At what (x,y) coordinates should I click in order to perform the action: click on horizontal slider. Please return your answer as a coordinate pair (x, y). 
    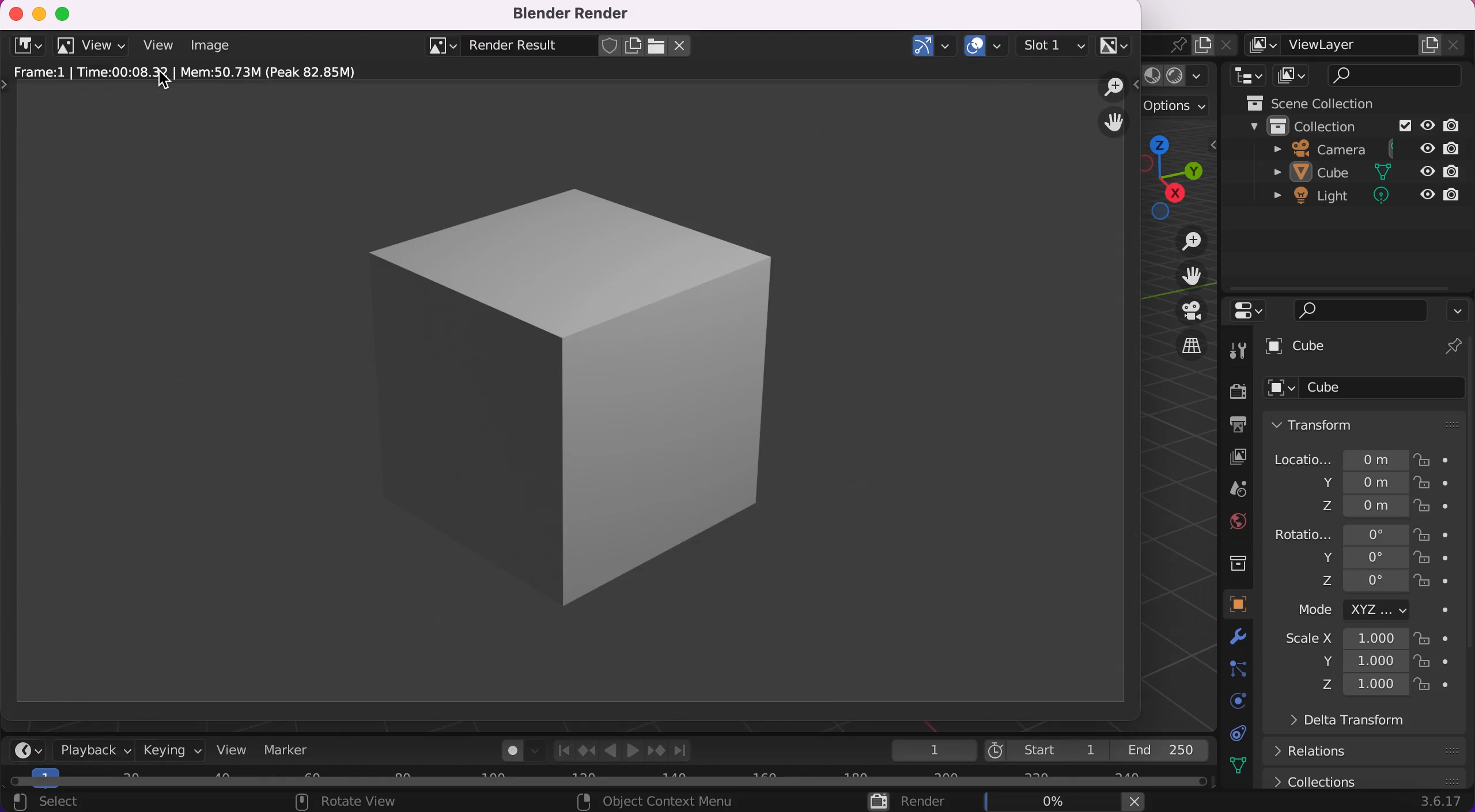
    Looking at the image, I should click on (618, 782).